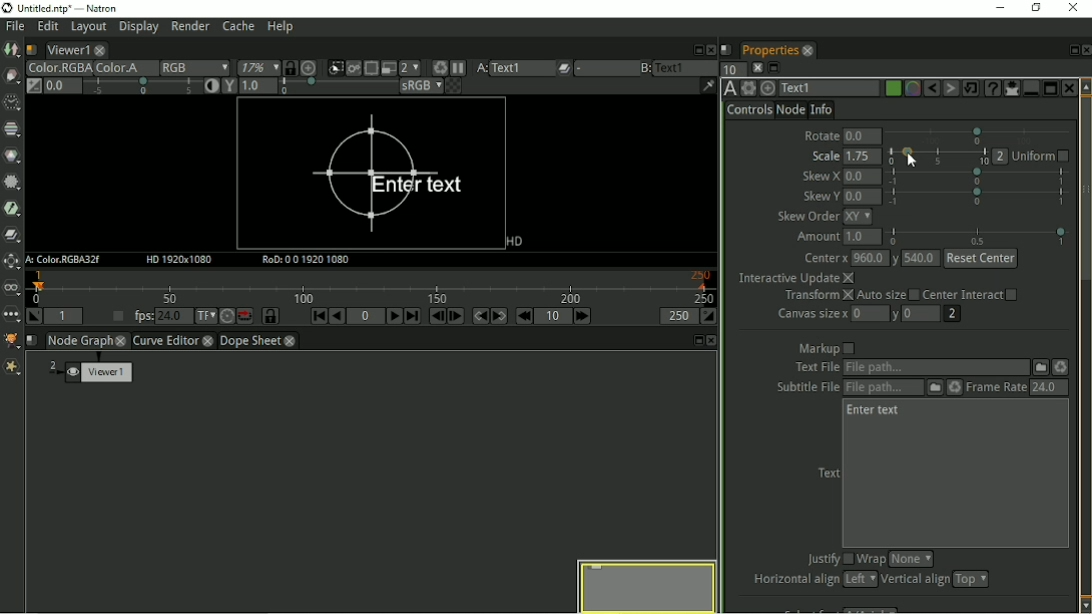 The image size is (1092, 614). What do you see at coordinates (902, 296) in the screenshot?
I see `Transform` at bounding box center [902, 296].